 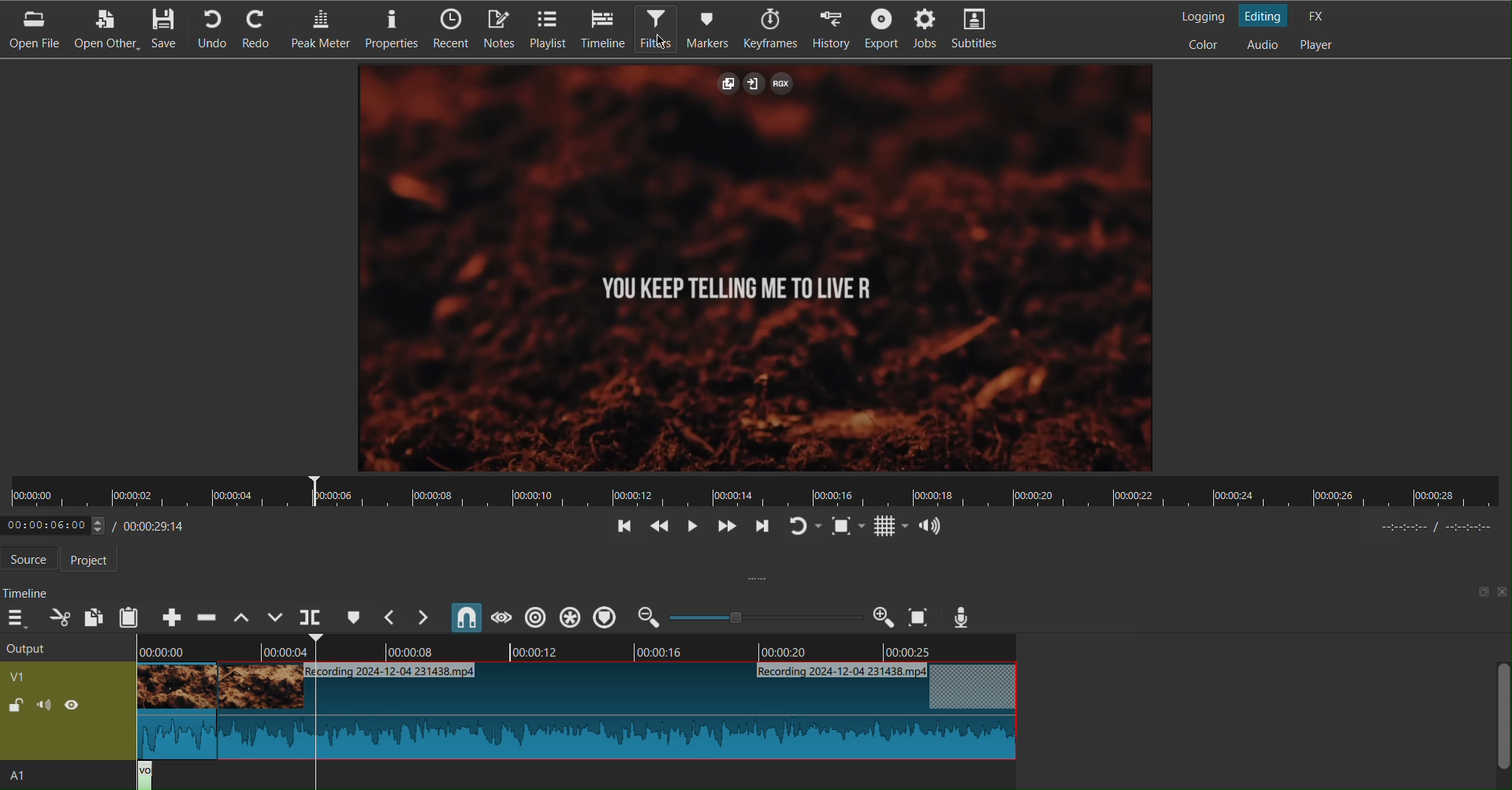 What do you see at coordinates (16, 707) in the screenshot?
I see `lock` at bounding box center [16, 707].